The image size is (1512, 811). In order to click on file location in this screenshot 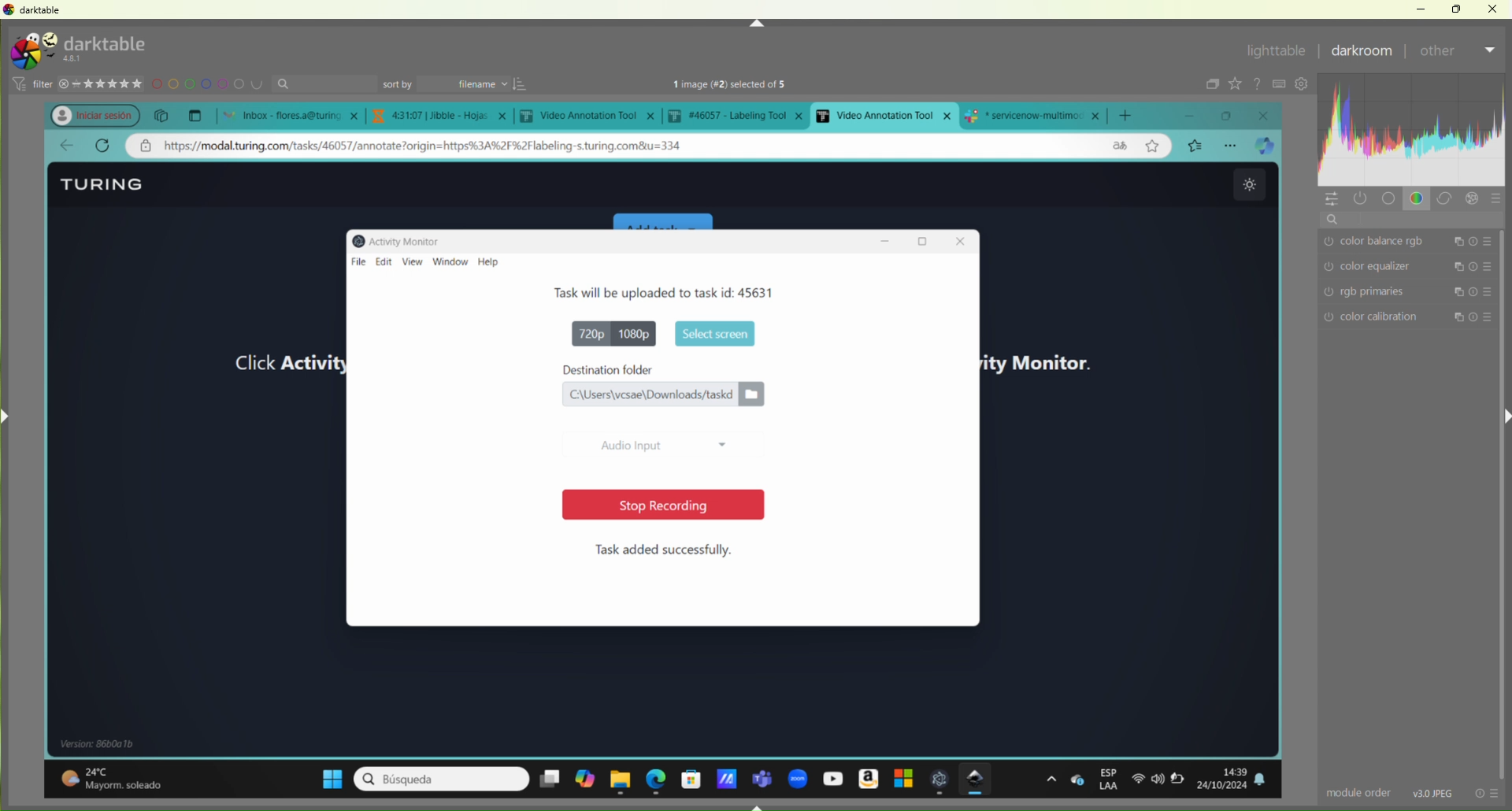, I will do `click(662, 394)`.